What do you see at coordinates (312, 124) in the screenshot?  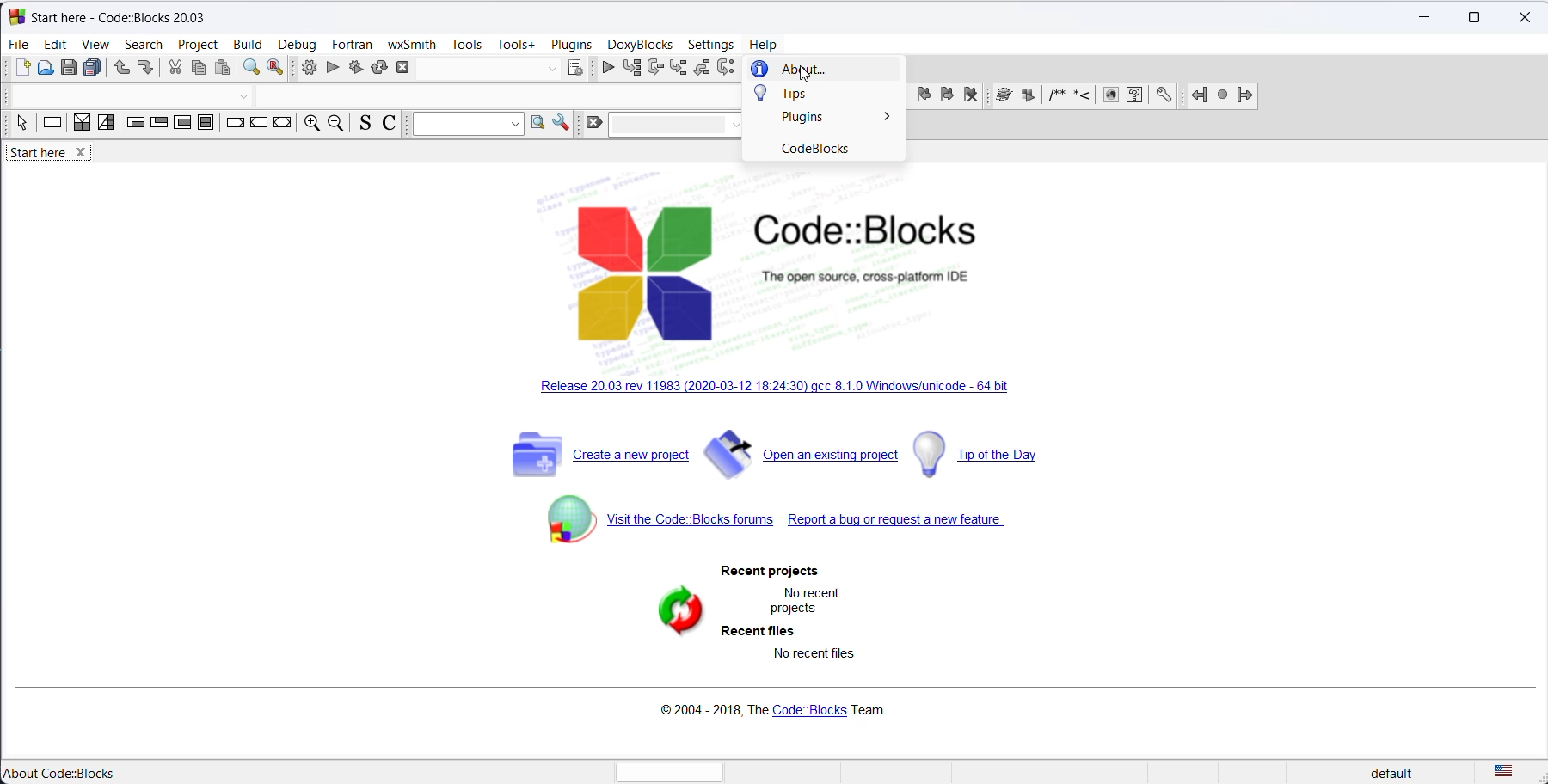 I see `zoom in` at bounding box center [312, 124].